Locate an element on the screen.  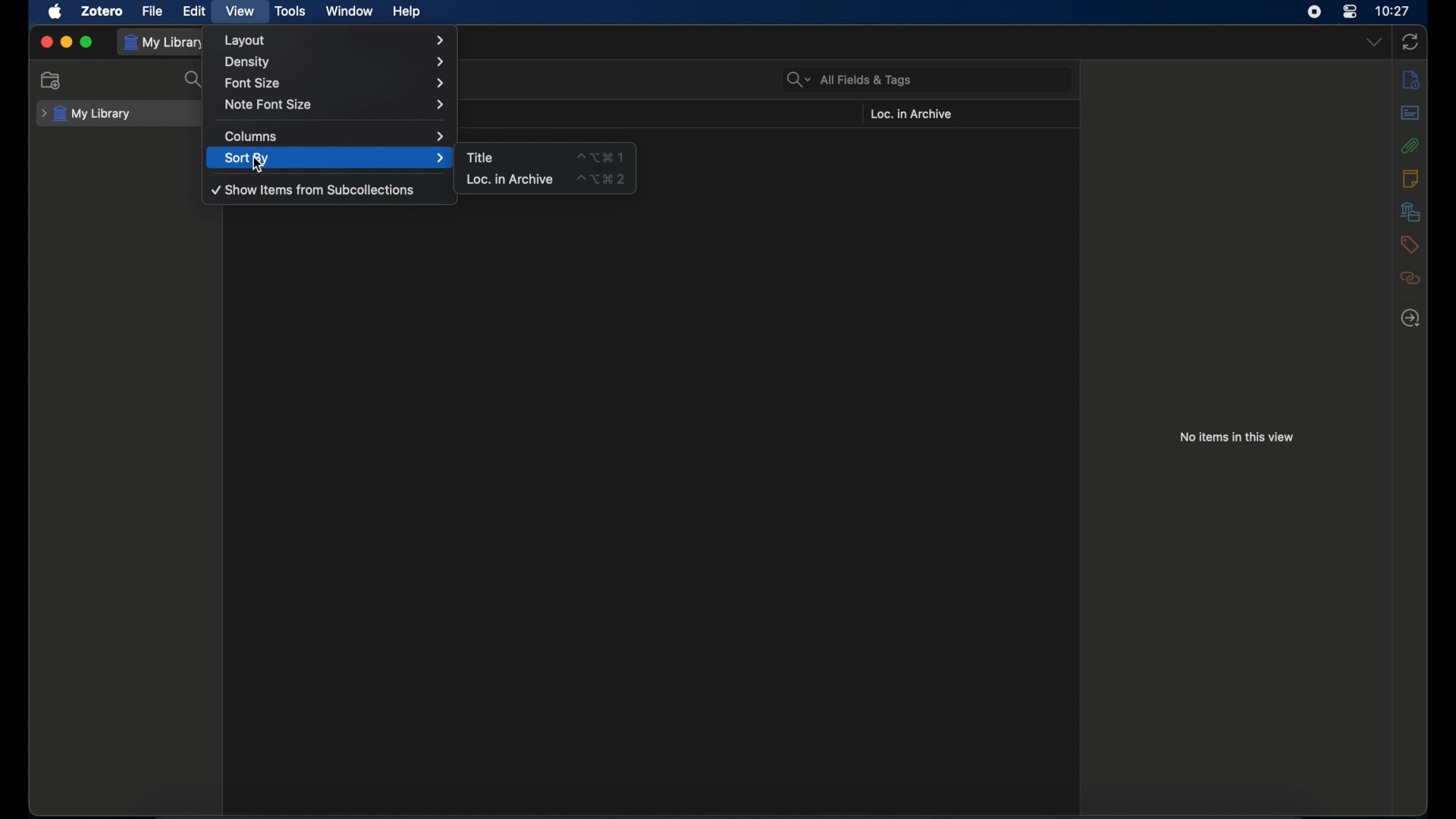
sync is located at coordinates (1410, 42).